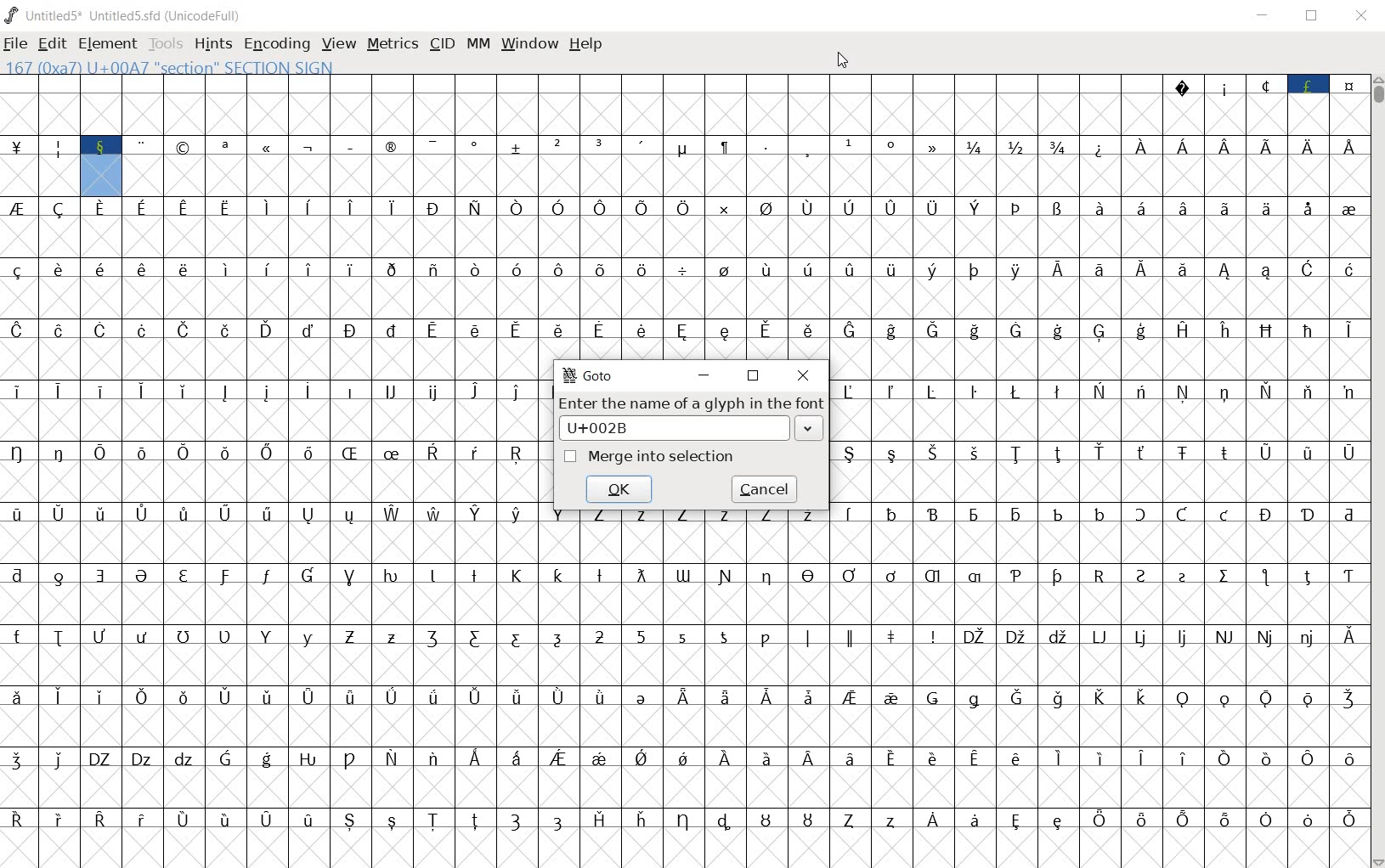 This screenshot has width=1385, height=868. Describe the element at coordinates (276, 42) in the screenshot. I see `encoding` at that location.